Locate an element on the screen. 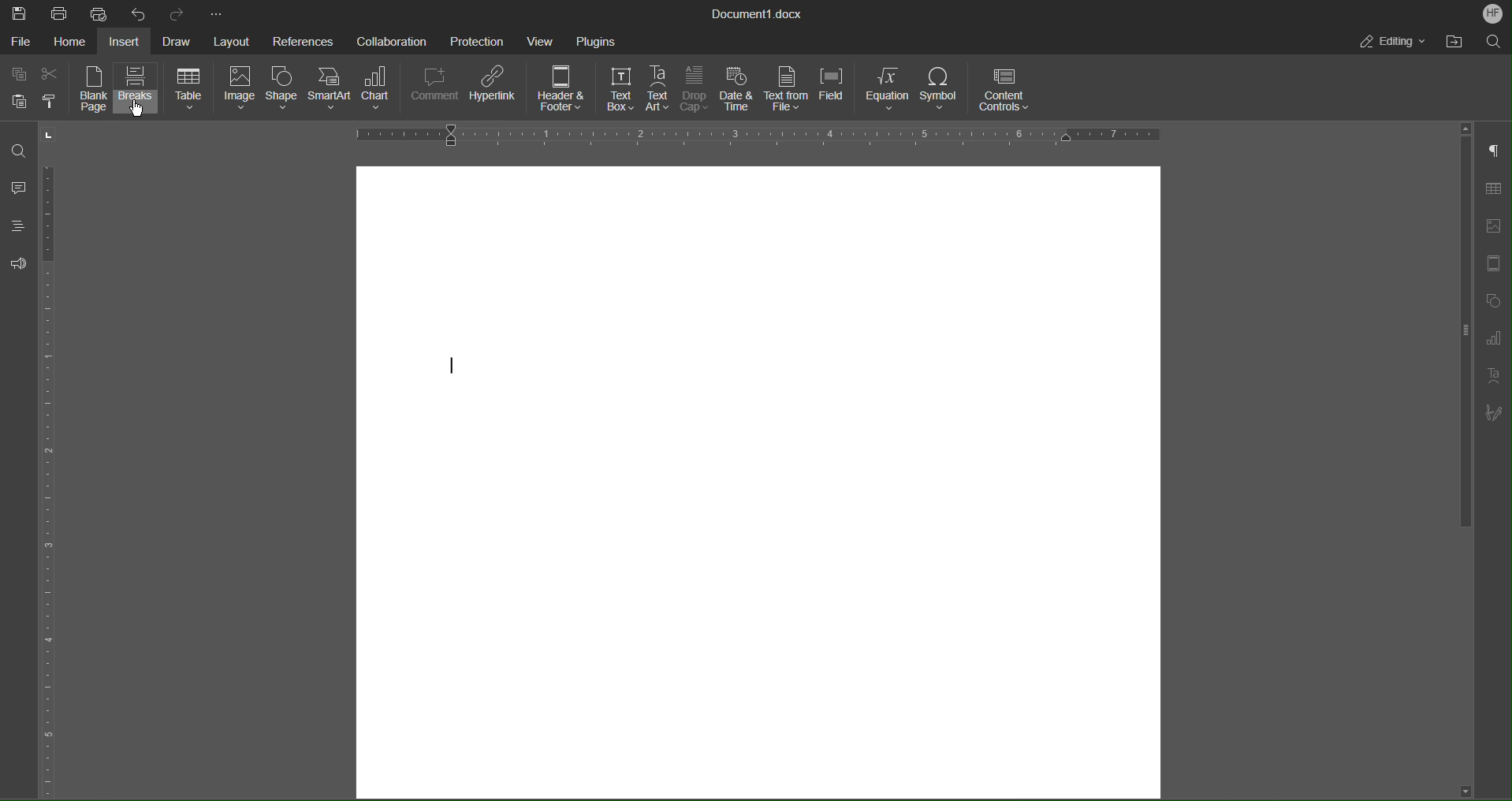  Text Box is located at coordinates (619, 90).